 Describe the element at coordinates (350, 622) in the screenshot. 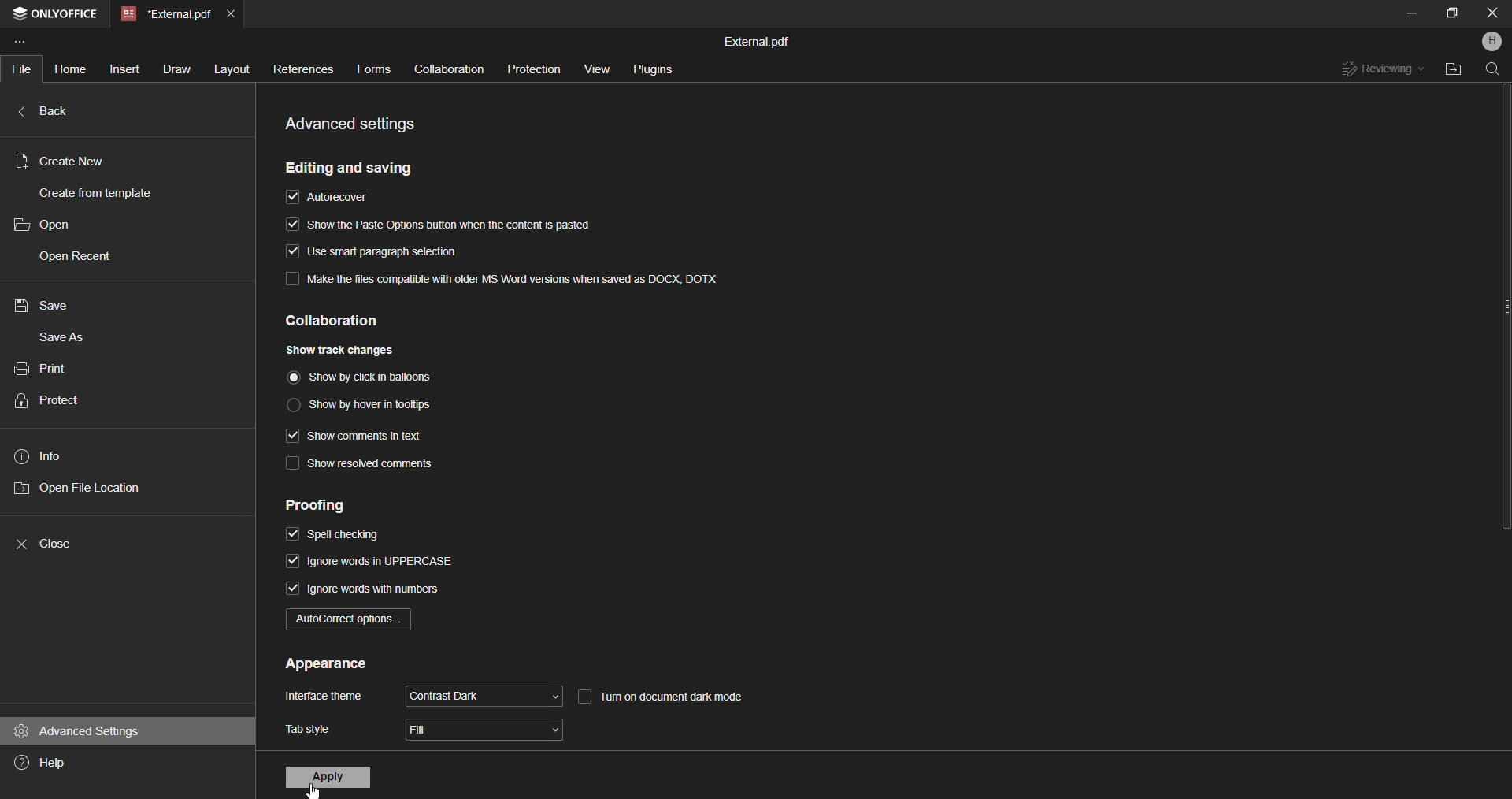

I see `autocorrect option` at that location.